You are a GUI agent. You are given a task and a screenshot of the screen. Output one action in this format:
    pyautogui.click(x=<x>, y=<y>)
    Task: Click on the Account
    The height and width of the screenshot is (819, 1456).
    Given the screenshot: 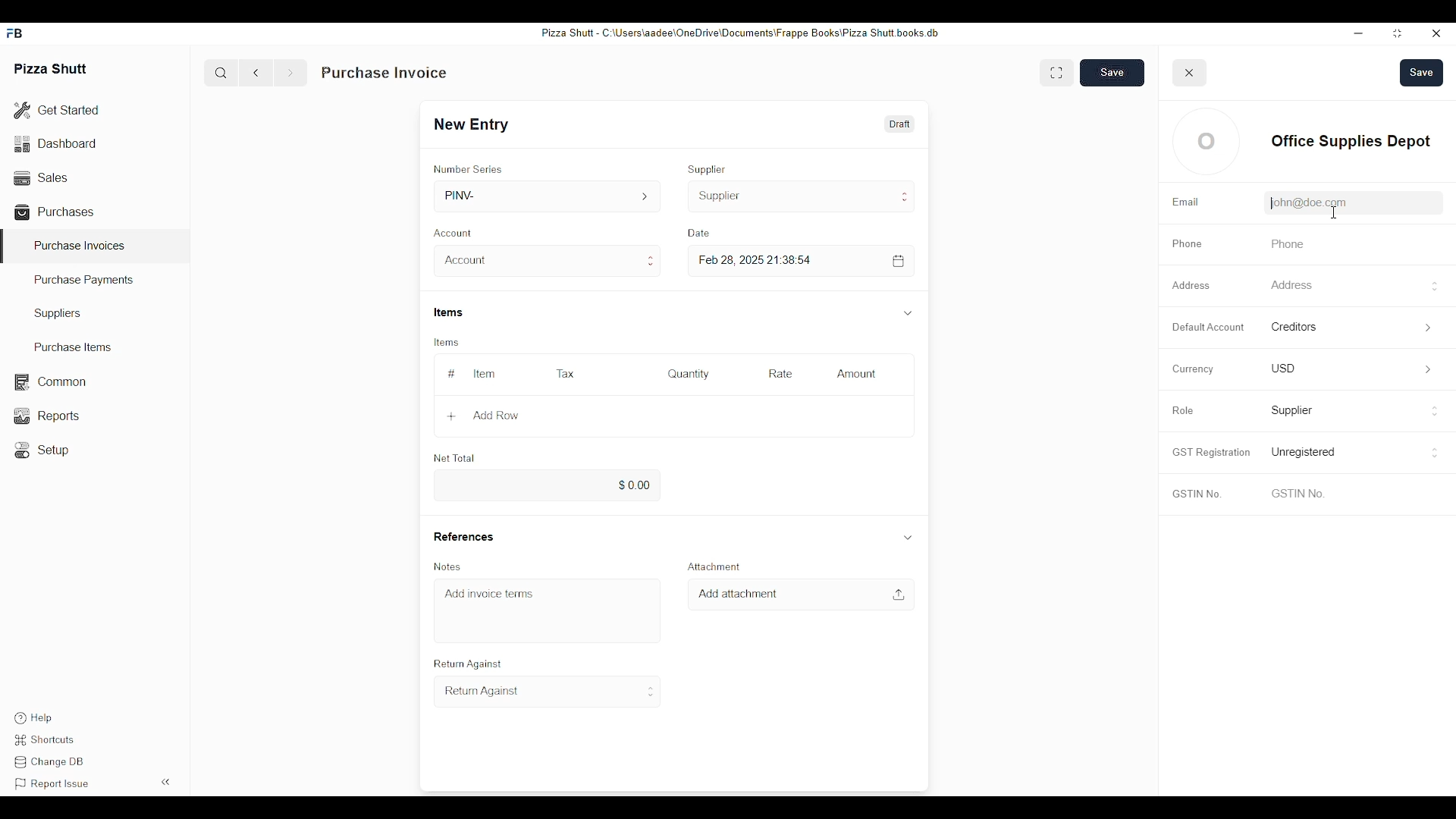 What is the action you would take?
    pyautogui.click(x=456, y=231)
    